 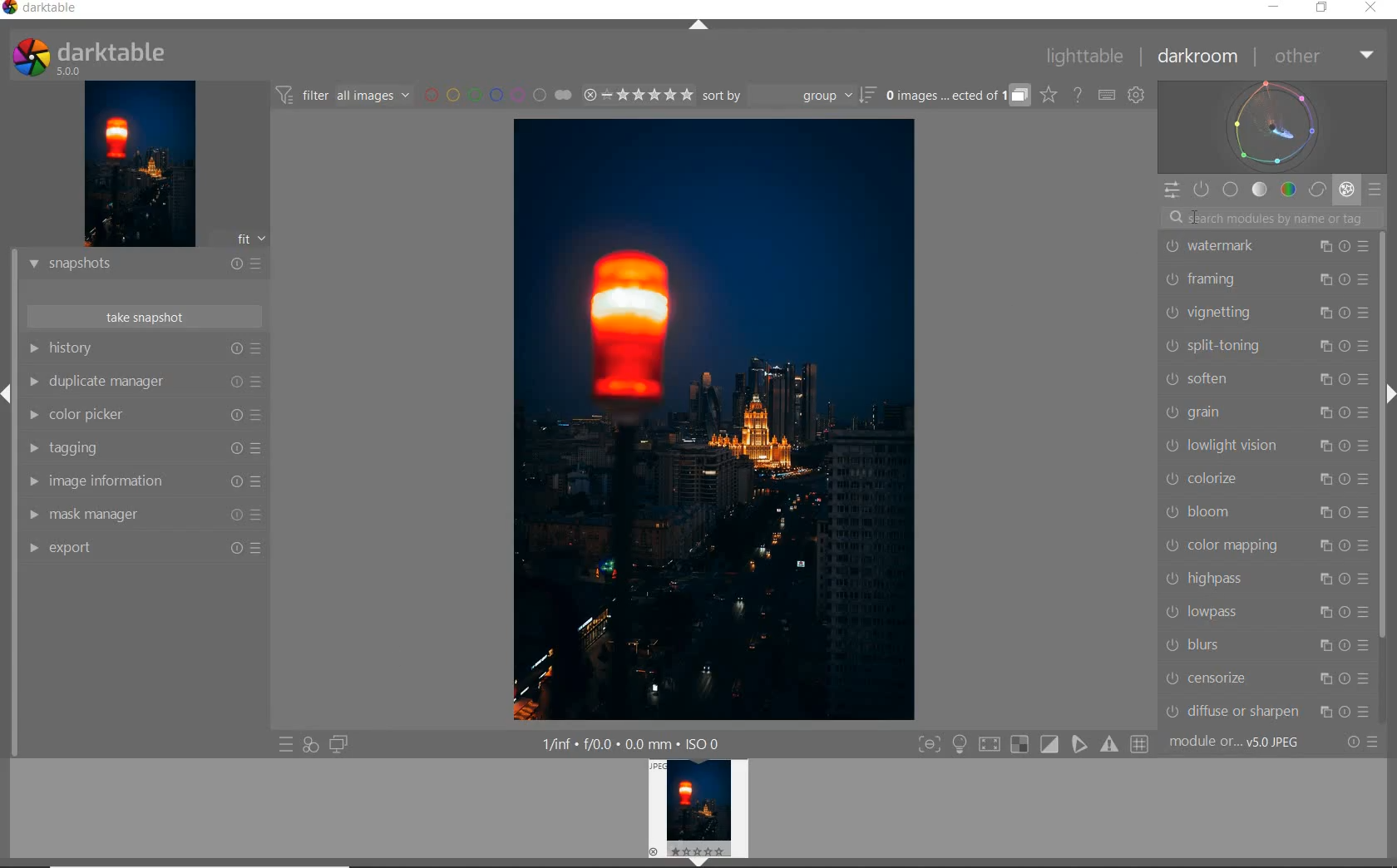 I want to click on Reset, so click(x=1346, y=377).